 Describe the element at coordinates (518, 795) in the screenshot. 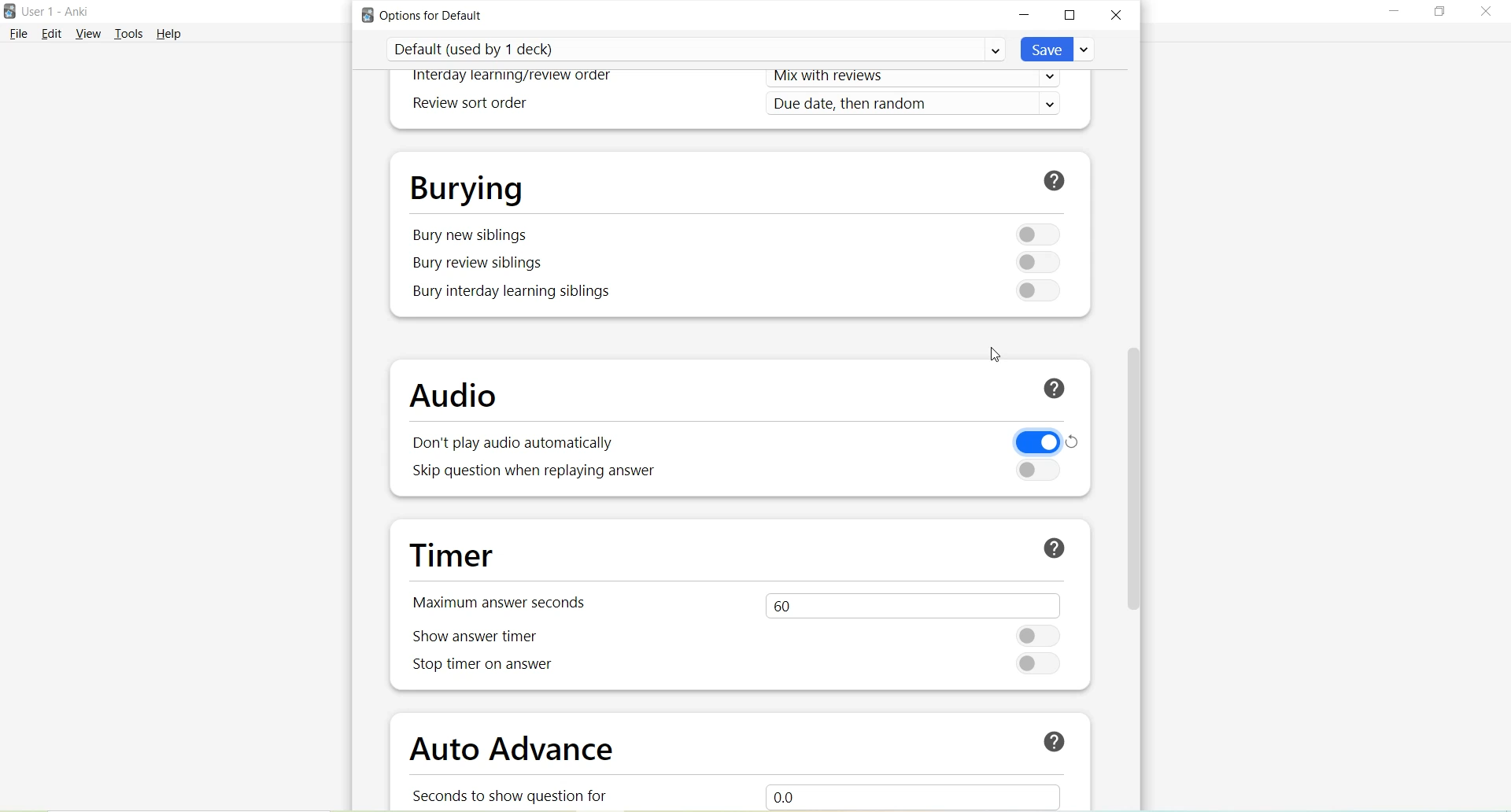

I see `Seconds to show question for` at that location.